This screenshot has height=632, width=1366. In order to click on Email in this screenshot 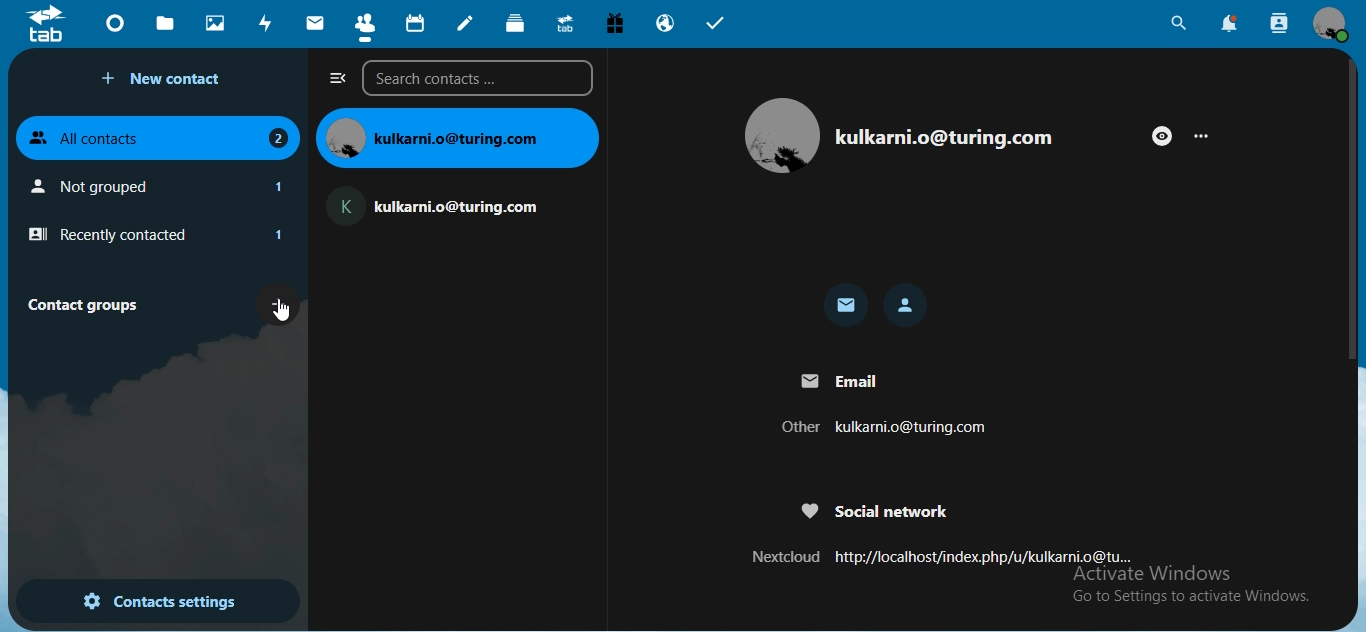, I will do `click(845, 380)`.